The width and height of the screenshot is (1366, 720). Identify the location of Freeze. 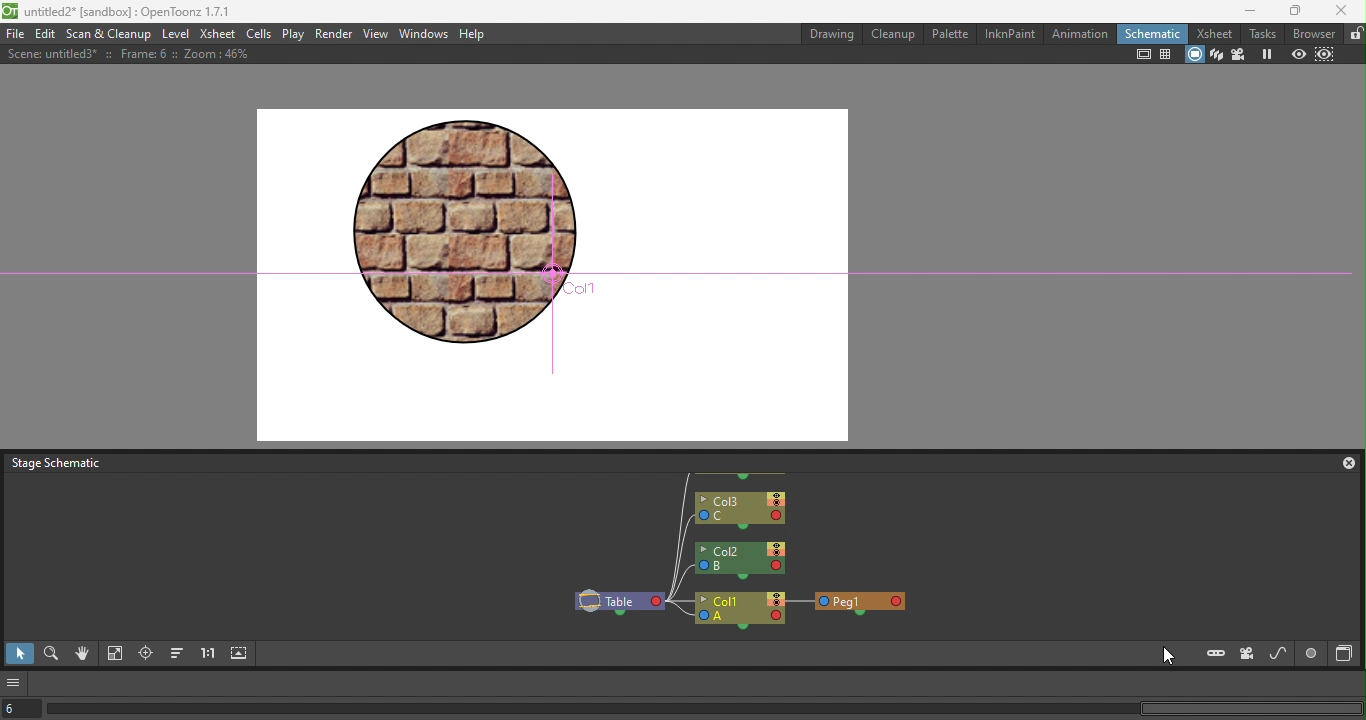
(1270, 54).